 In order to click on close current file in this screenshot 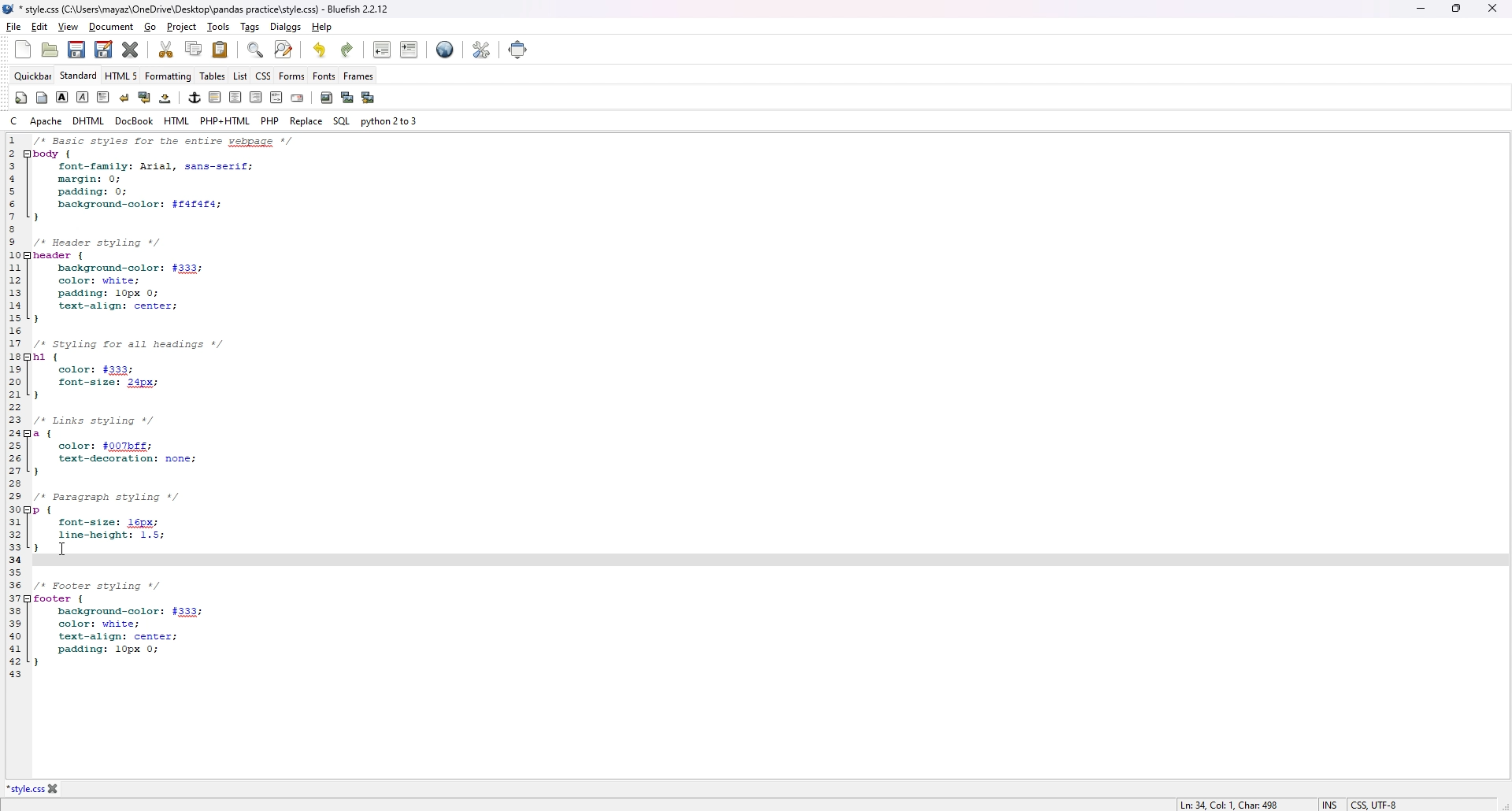, I will do `click(132, 49)`.